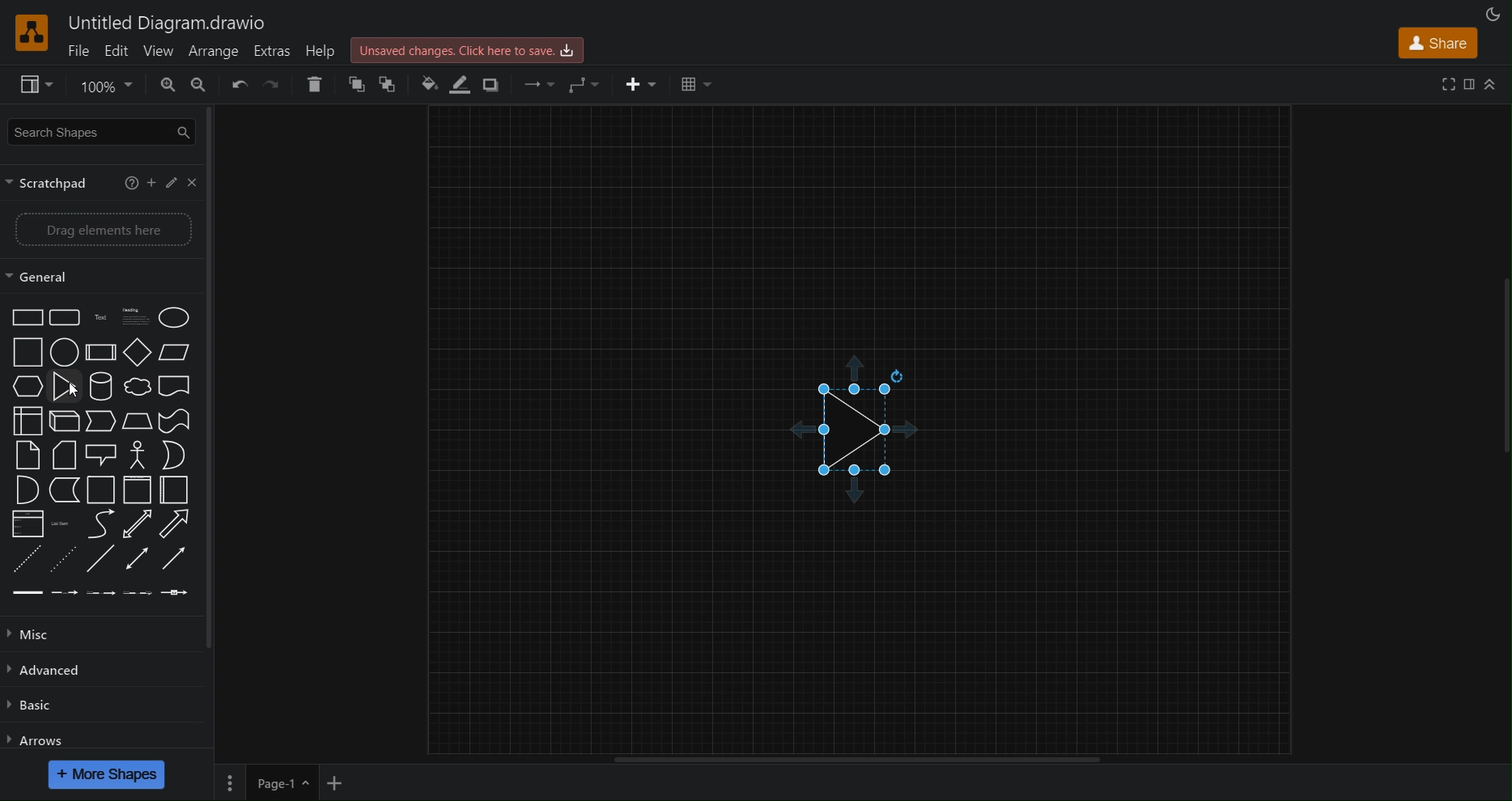 The height and width of the screenshot is (801, 1512). What do you see at coordinates (861, 429) in the screenshot?
I see `Triangle shape` at bounding box center [861, 429].